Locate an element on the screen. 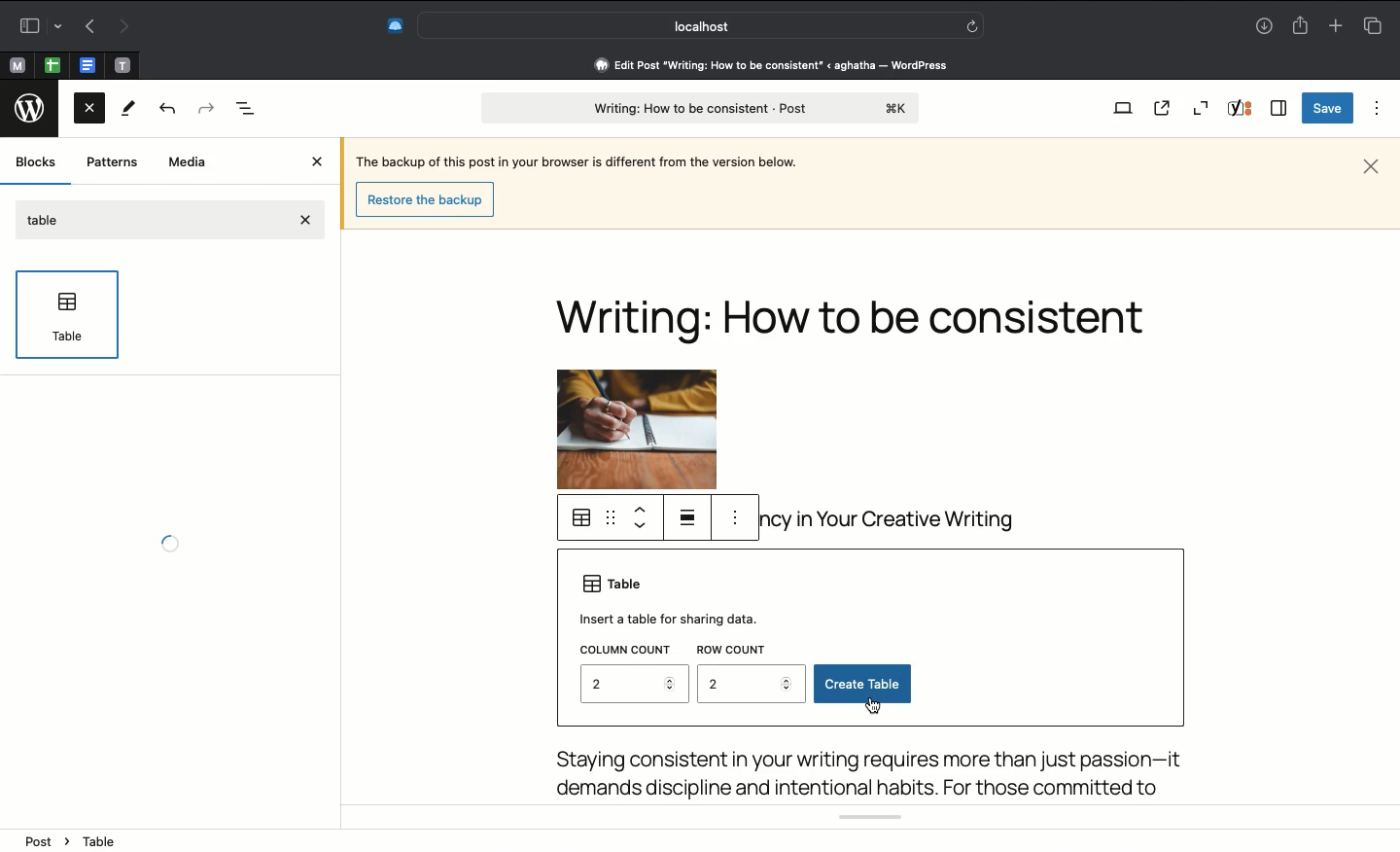  Yoast SEO is located at coordinates (872, 818).